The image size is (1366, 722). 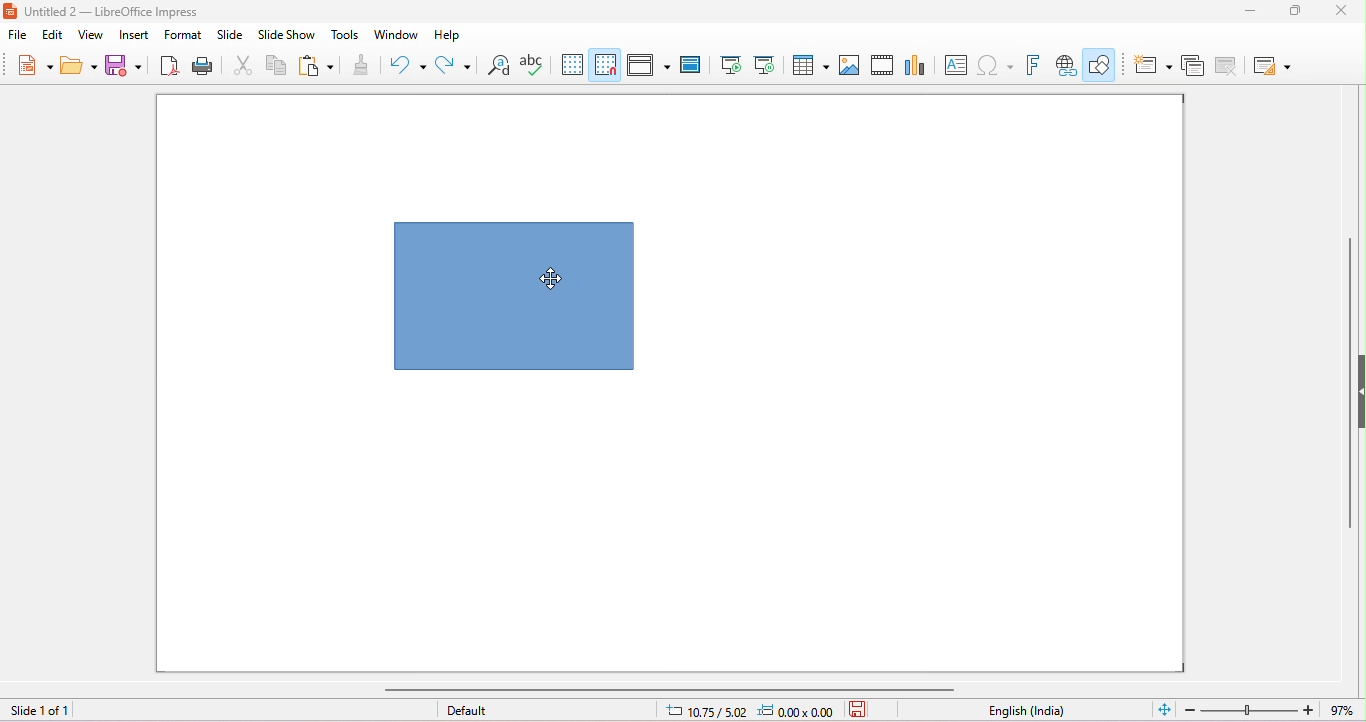 What do you see at coordinates (1165, 708) in the screenshot?
I see `fit slide to current window` at bounding box center [1165, 708].